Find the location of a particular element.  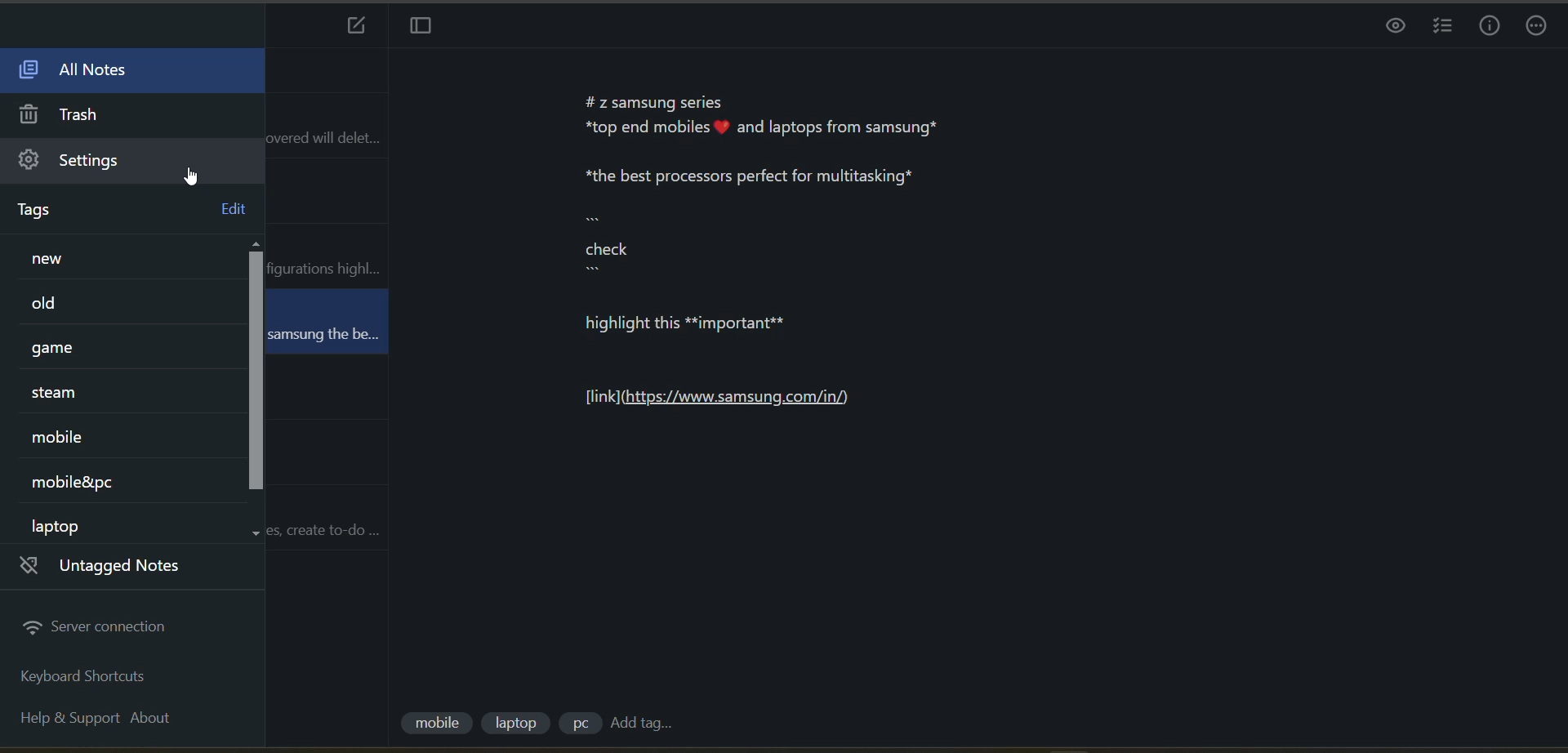

all notes is located at coordinates (73, 71).